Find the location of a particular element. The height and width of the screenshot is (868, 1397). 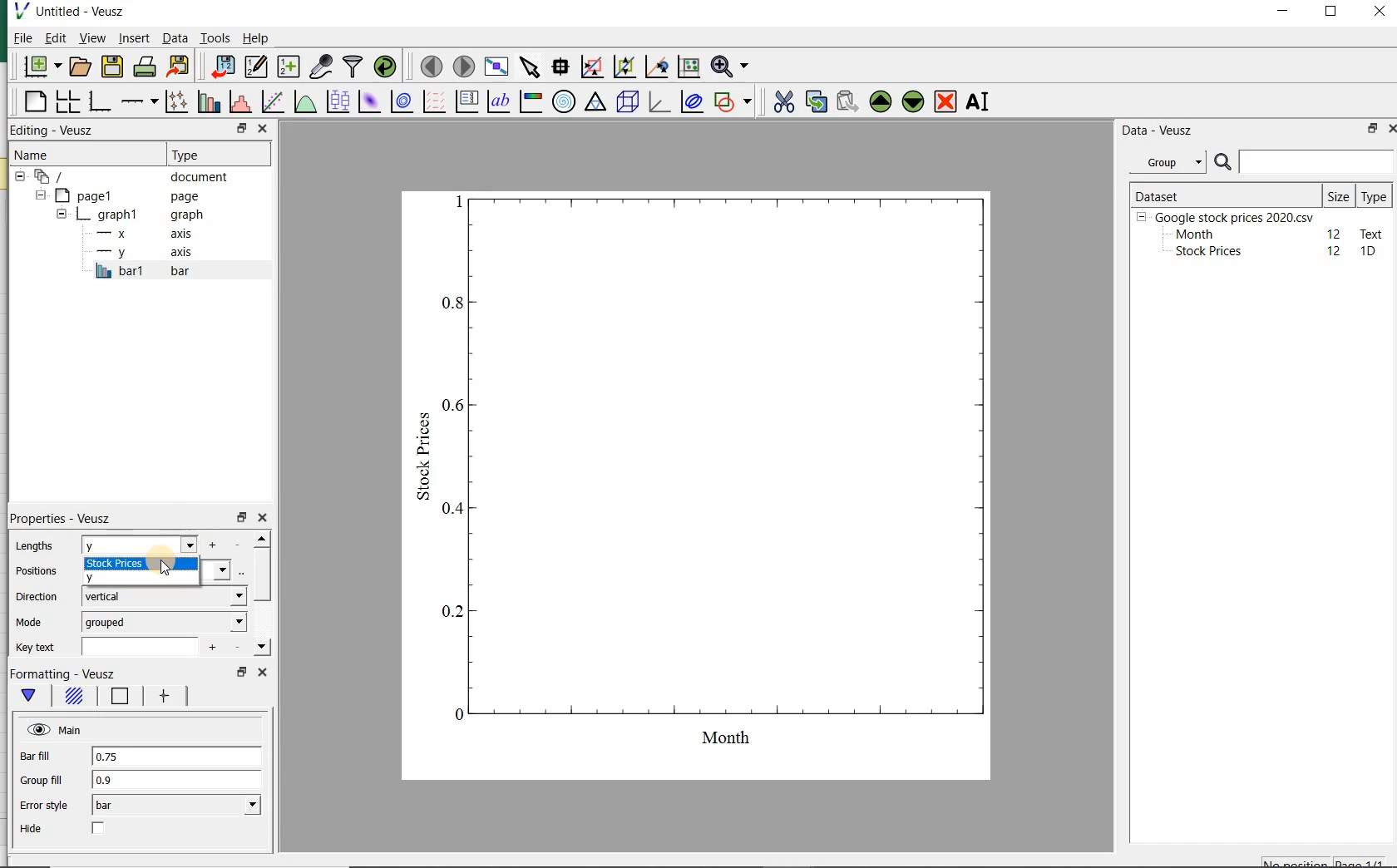

Mode is located at coordinates (31, 621).